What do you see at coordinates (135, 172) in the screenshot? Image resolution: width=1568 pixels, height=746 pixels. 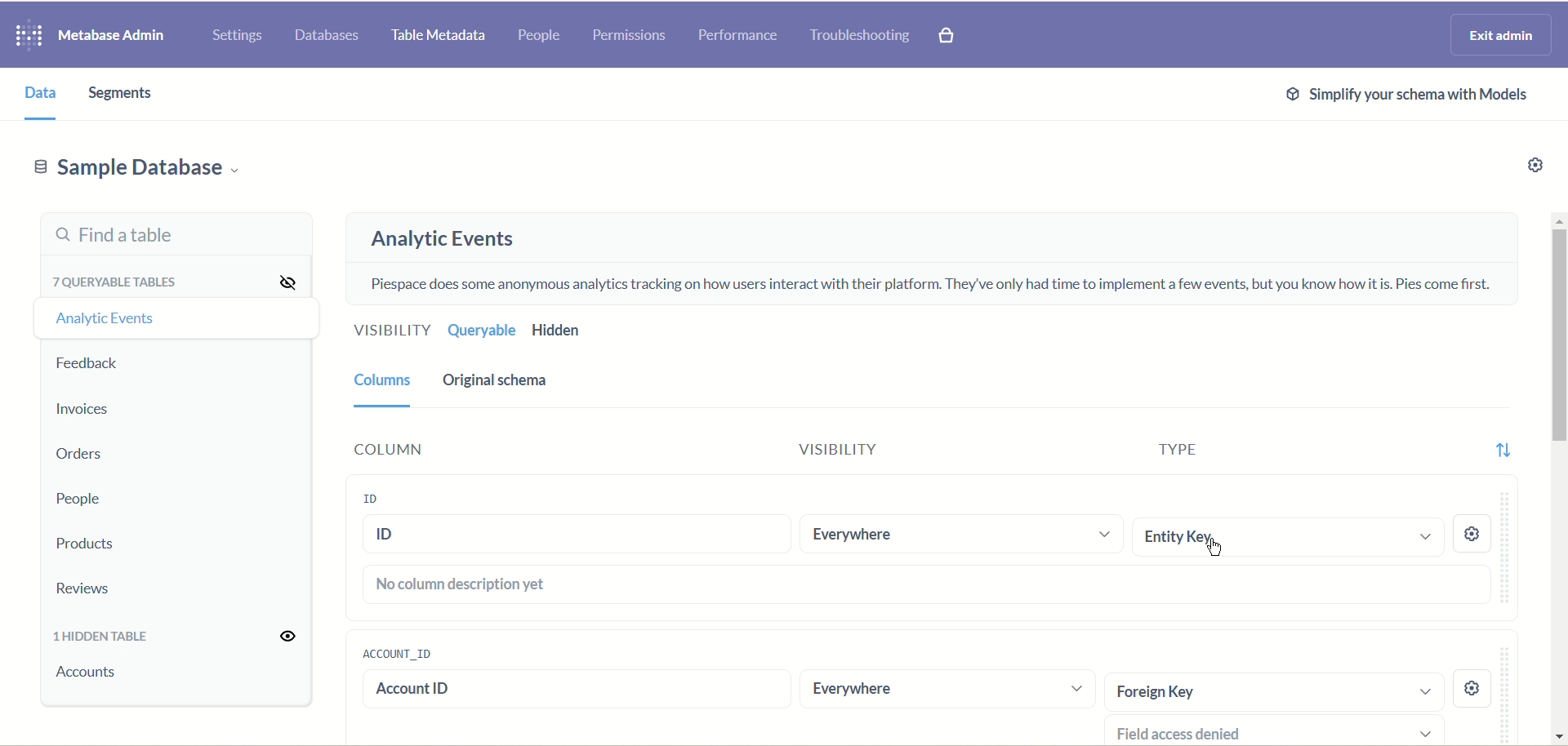 I see `sample database` at bounding box center [135, 172].